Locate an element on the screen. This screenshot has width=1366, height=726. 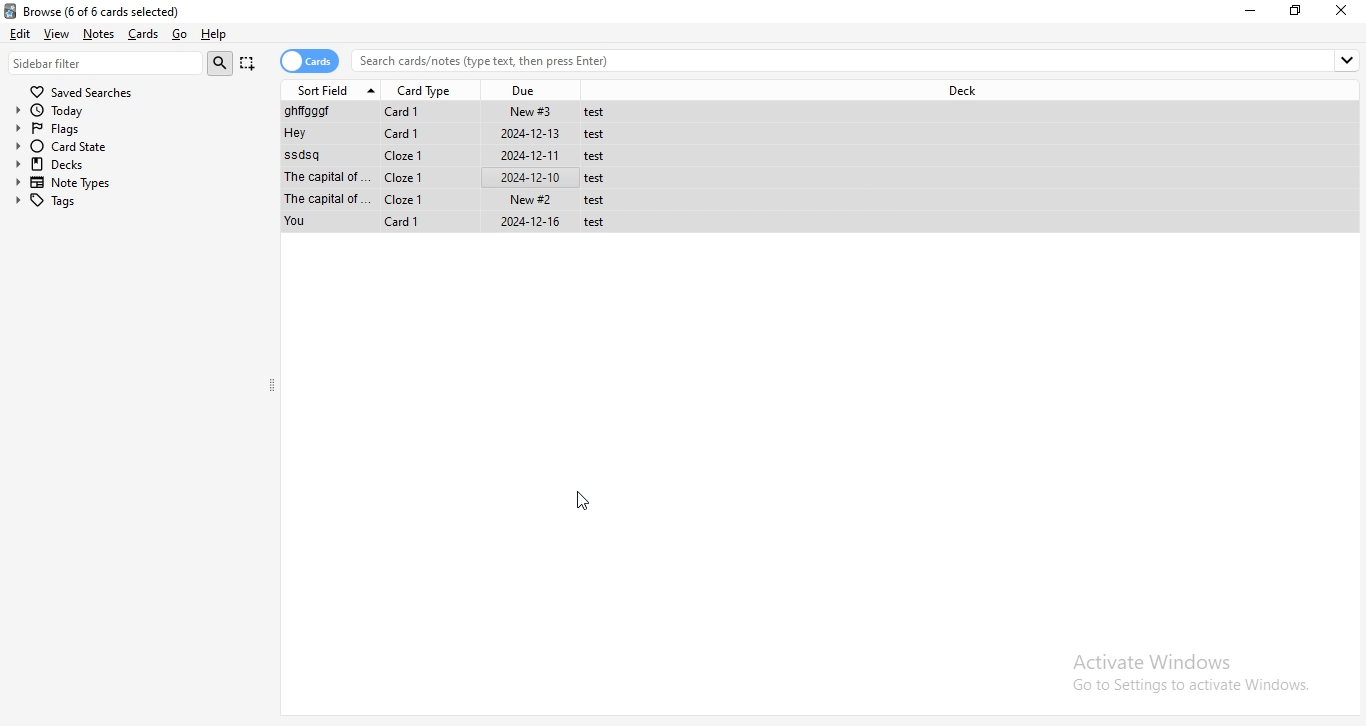
sort field is located at coordinates (334, 89).